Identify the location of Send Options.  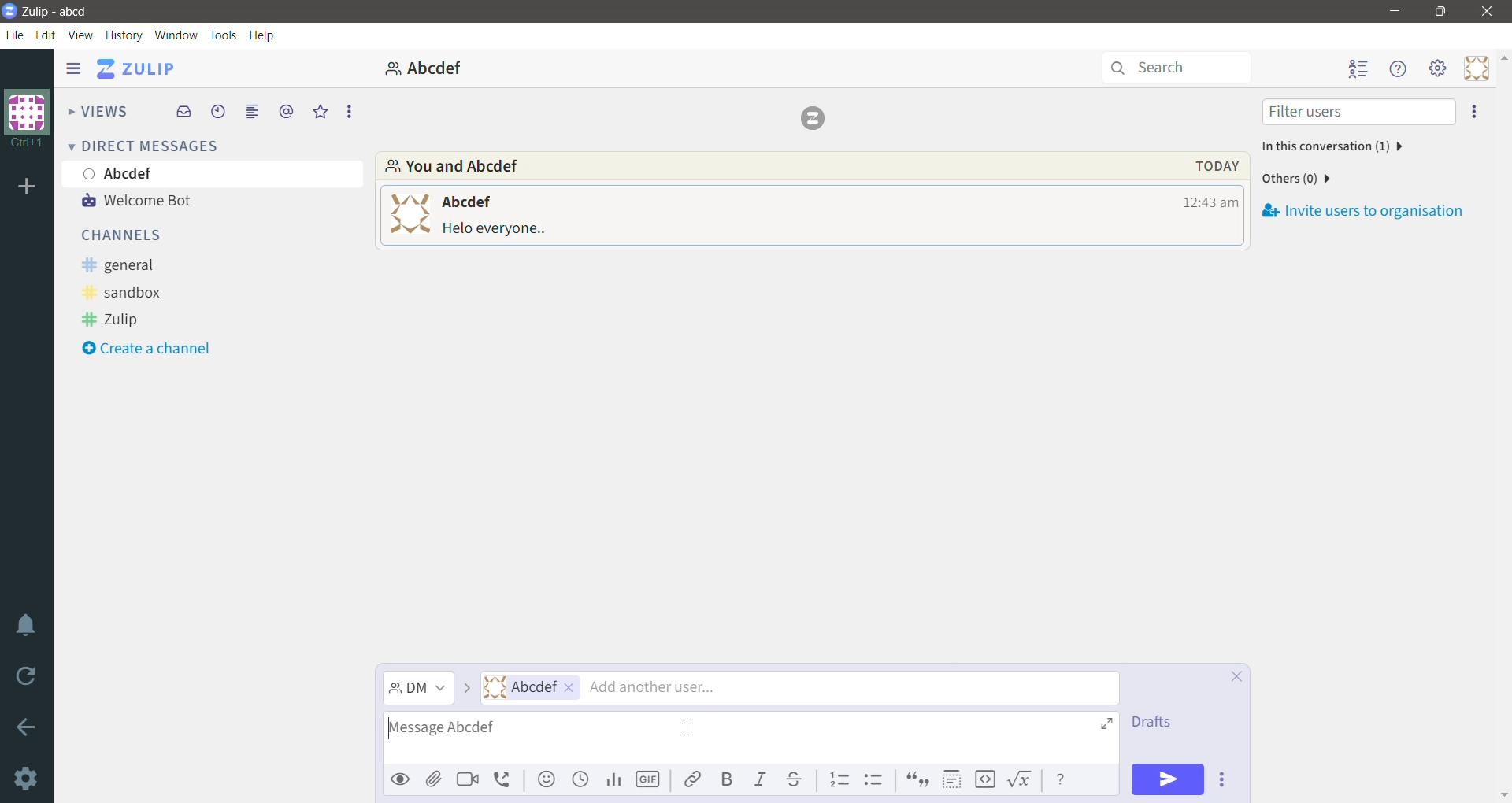
(1221, 779).